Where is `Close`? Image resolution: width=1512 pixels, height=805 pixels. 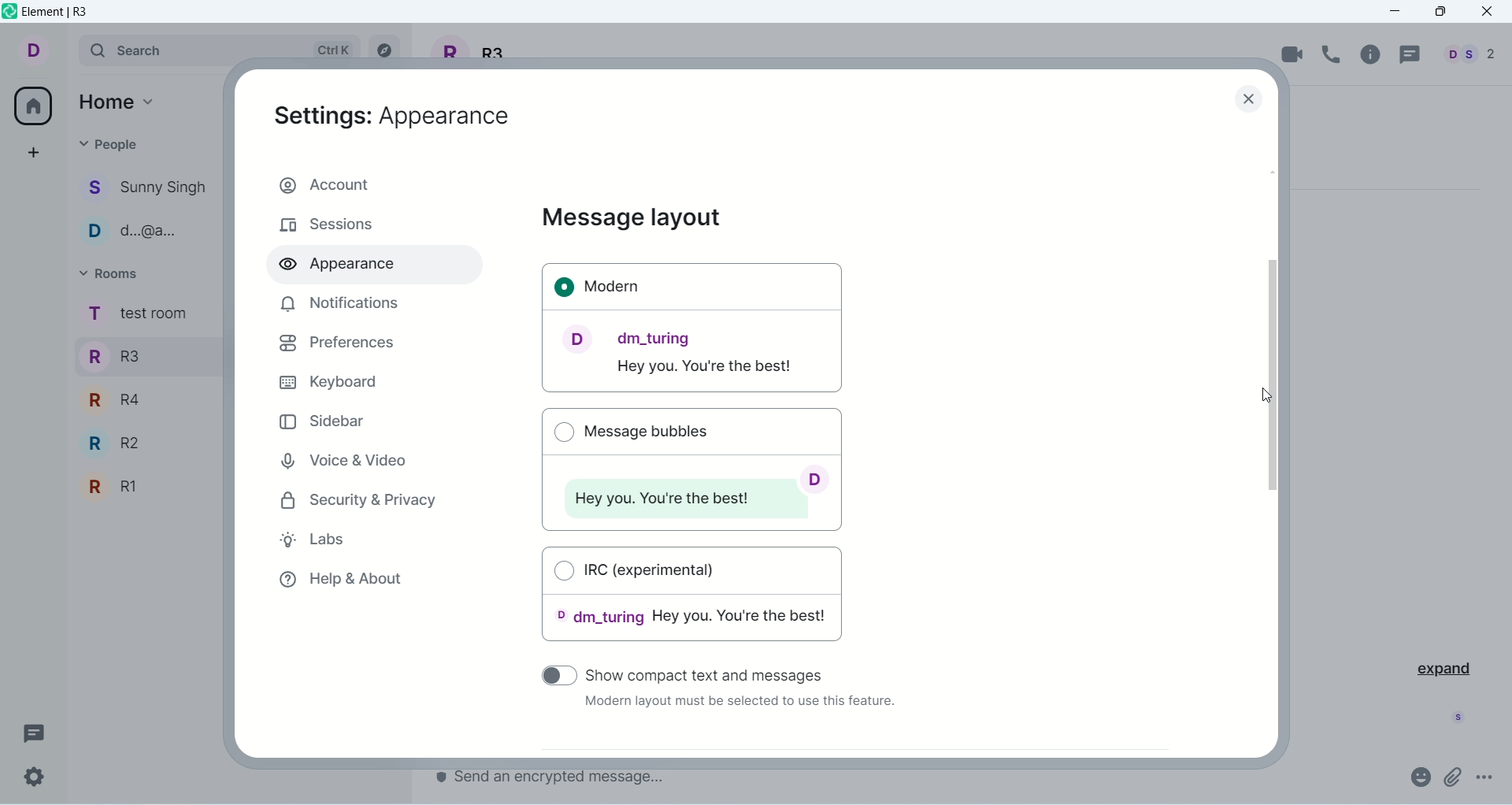 Close is located at coordinates (1251, 101).